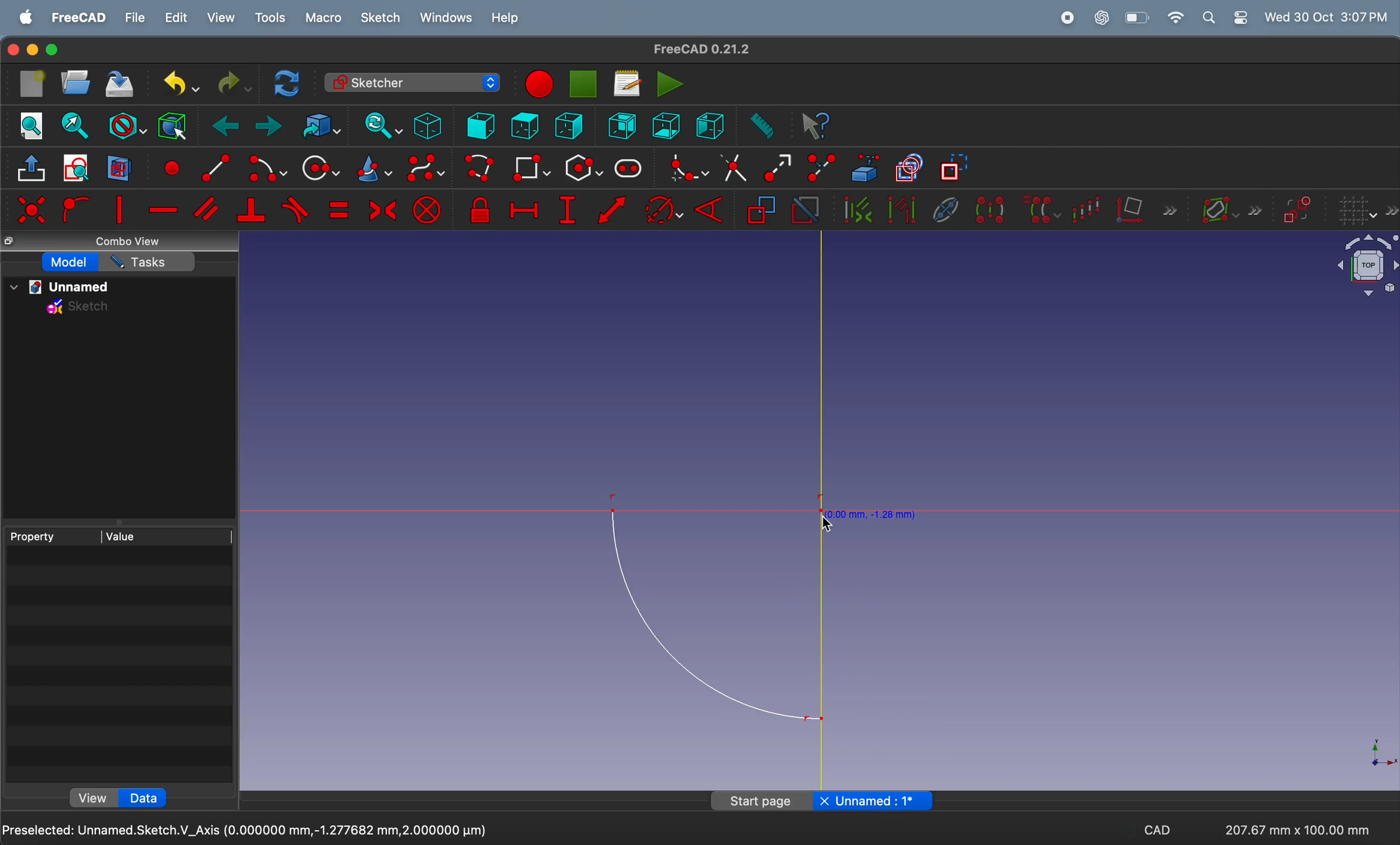 This screenshot has width=1400, height=845. Describe the element at coordinates (33, 171) in the screenshot. I see `leave sketch` at that location.